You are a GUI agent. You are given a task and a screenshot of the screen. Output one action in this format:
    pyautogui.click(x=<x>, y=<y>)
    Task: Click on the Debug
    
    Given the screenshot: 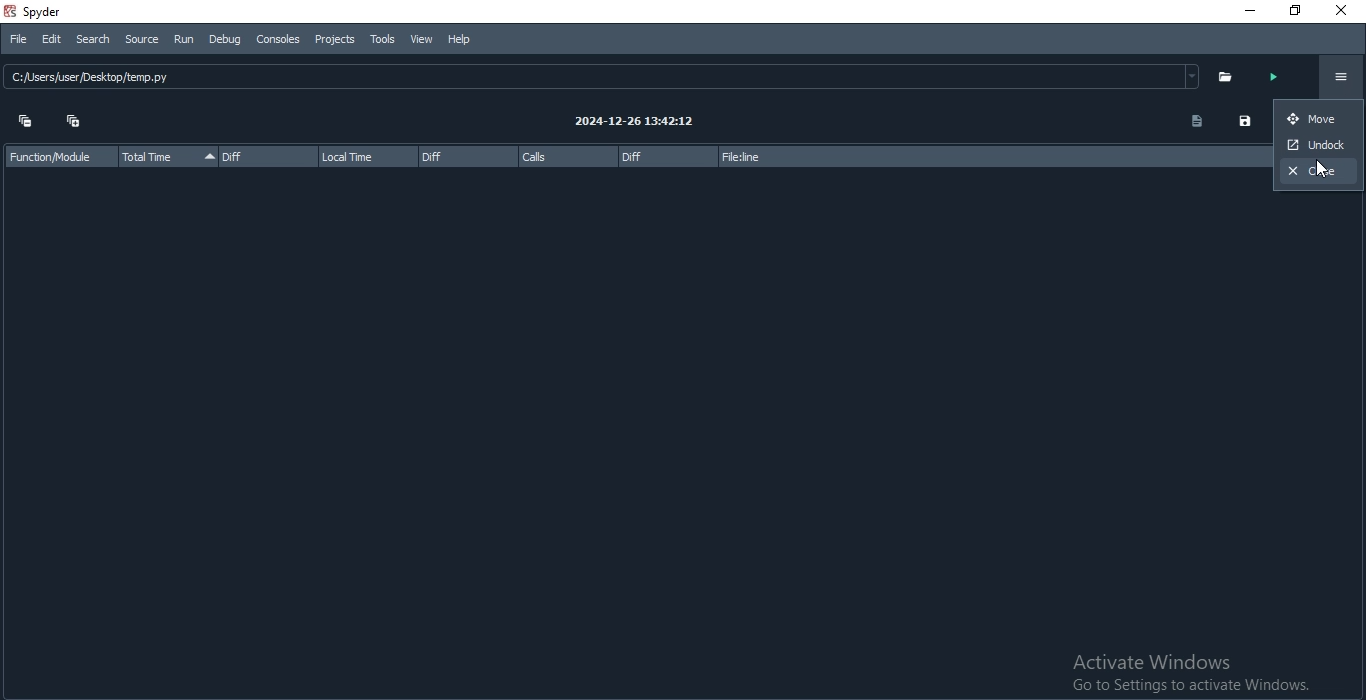 What is the action you would take?
    pyautogui.click(x=227, y=41)
    